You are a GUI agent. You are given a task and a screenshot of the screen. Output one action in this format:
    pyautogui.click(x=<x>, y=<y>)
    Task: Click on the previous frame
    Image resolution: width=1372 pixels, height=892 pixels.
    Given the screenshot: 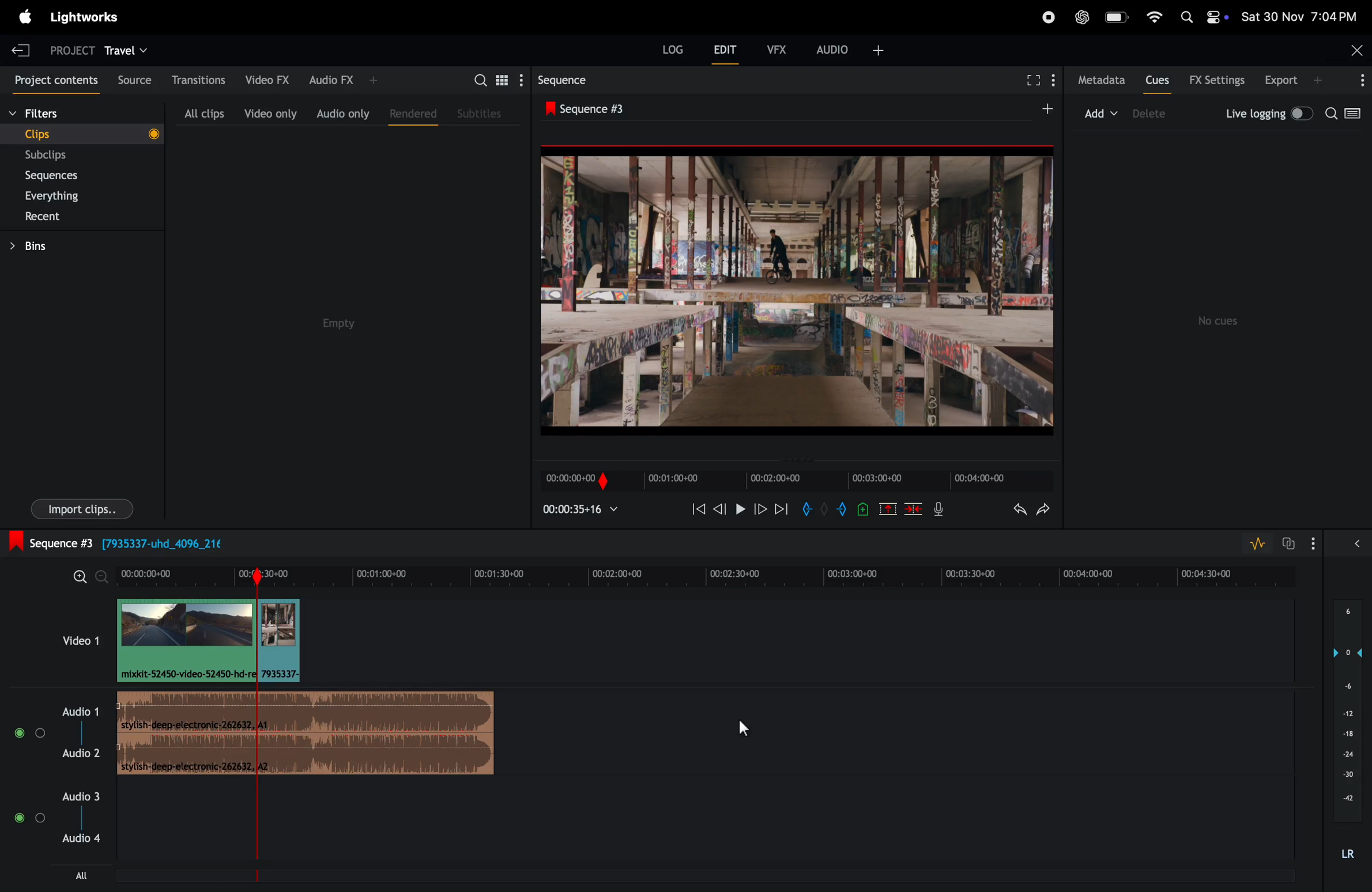 What is the action you would take?
    pyautogui.click(x=696, y=509)
    